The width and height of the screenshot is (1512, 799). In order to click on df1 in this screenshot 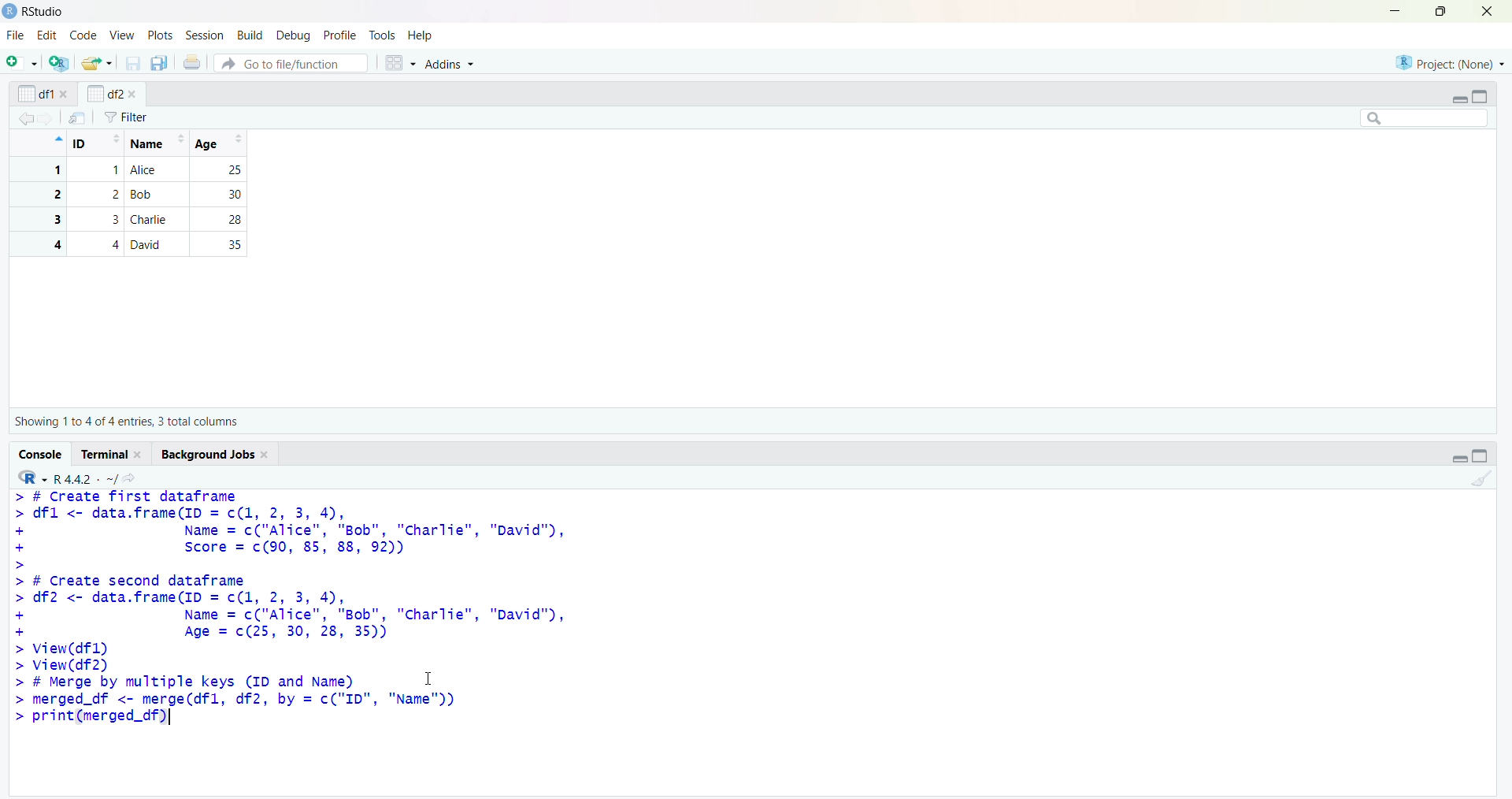, I will do `click(35, 94)`.